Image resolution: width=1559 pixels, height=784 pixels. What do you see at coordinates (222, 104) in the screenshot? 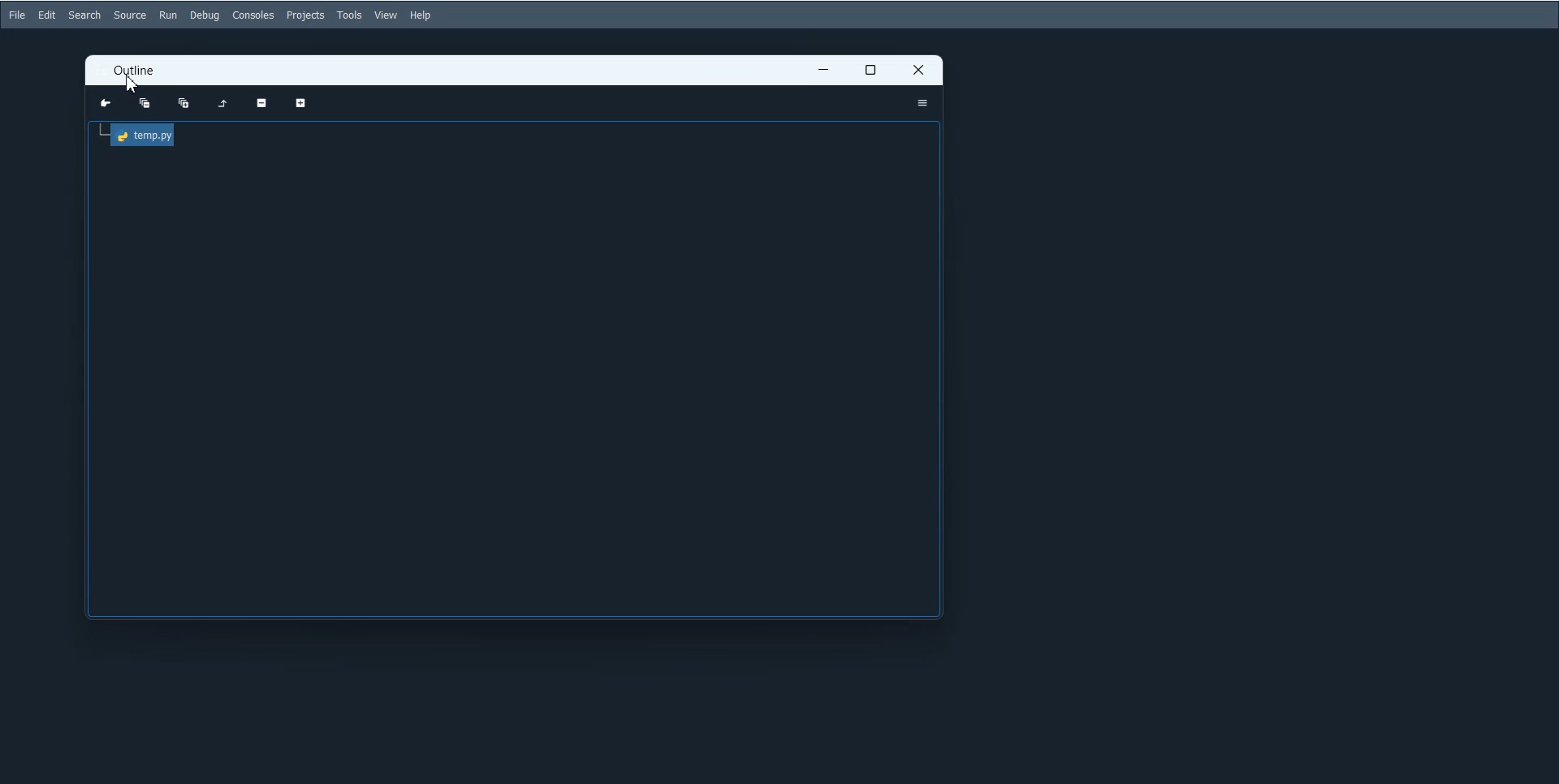
I see `Restore original layout tree` at bounding box center [222, 104].